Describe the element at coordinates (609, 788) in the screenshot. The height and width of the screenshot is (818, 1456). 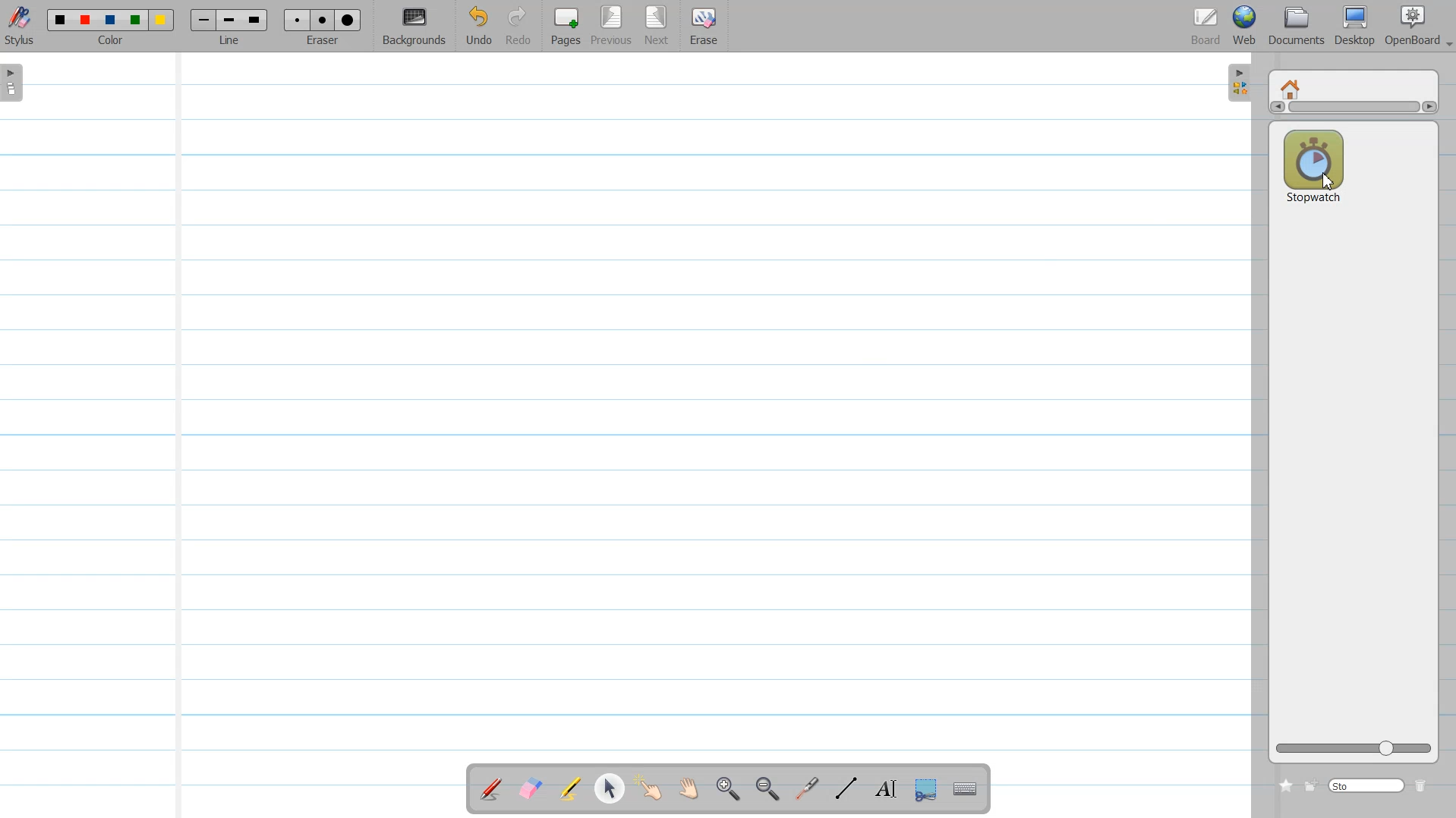
I see `Select and modify object` at that location.